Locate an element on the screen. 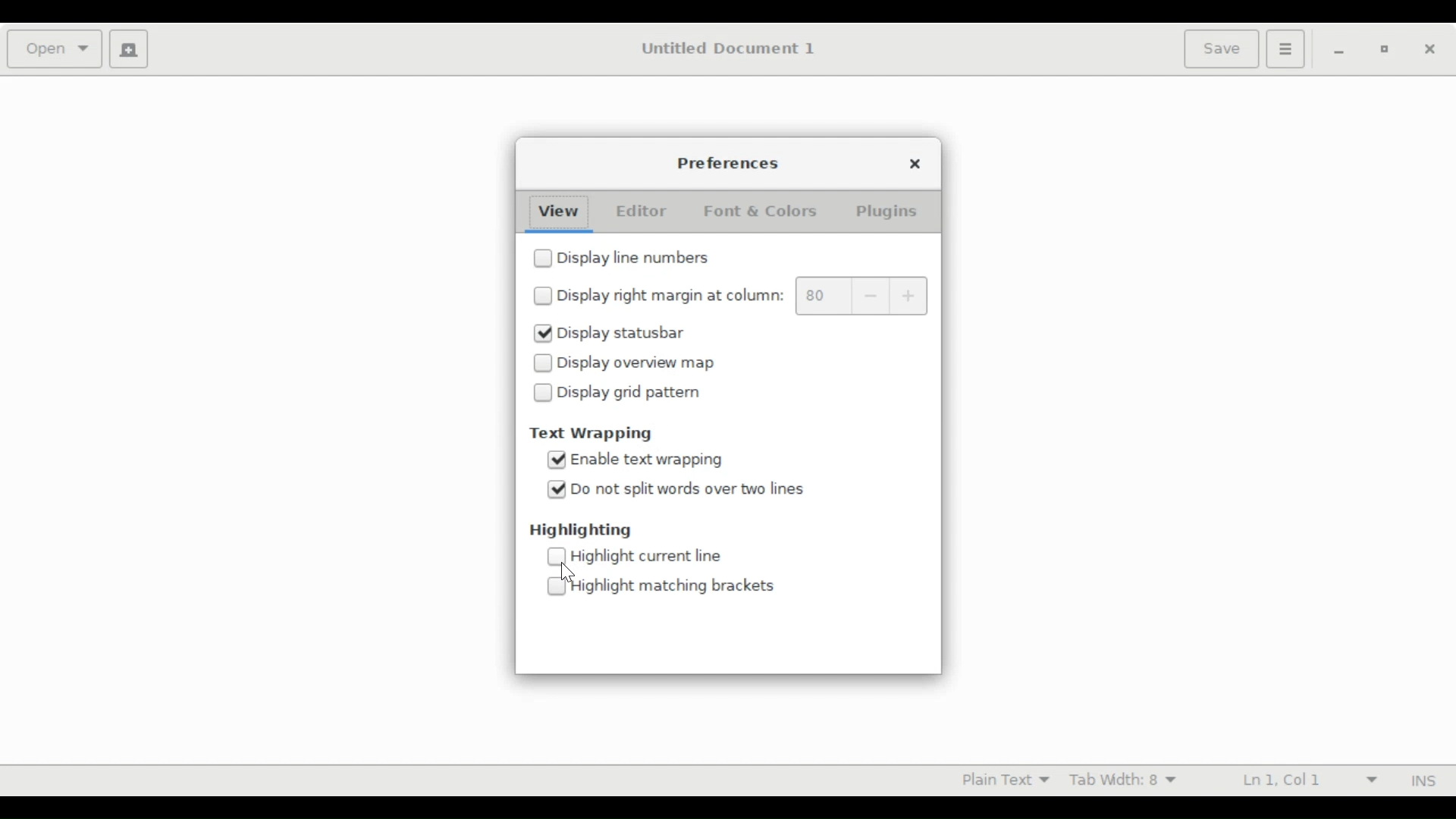 This screenshot has height=819, width=1456. decrease is located at coordinates (871, 297).